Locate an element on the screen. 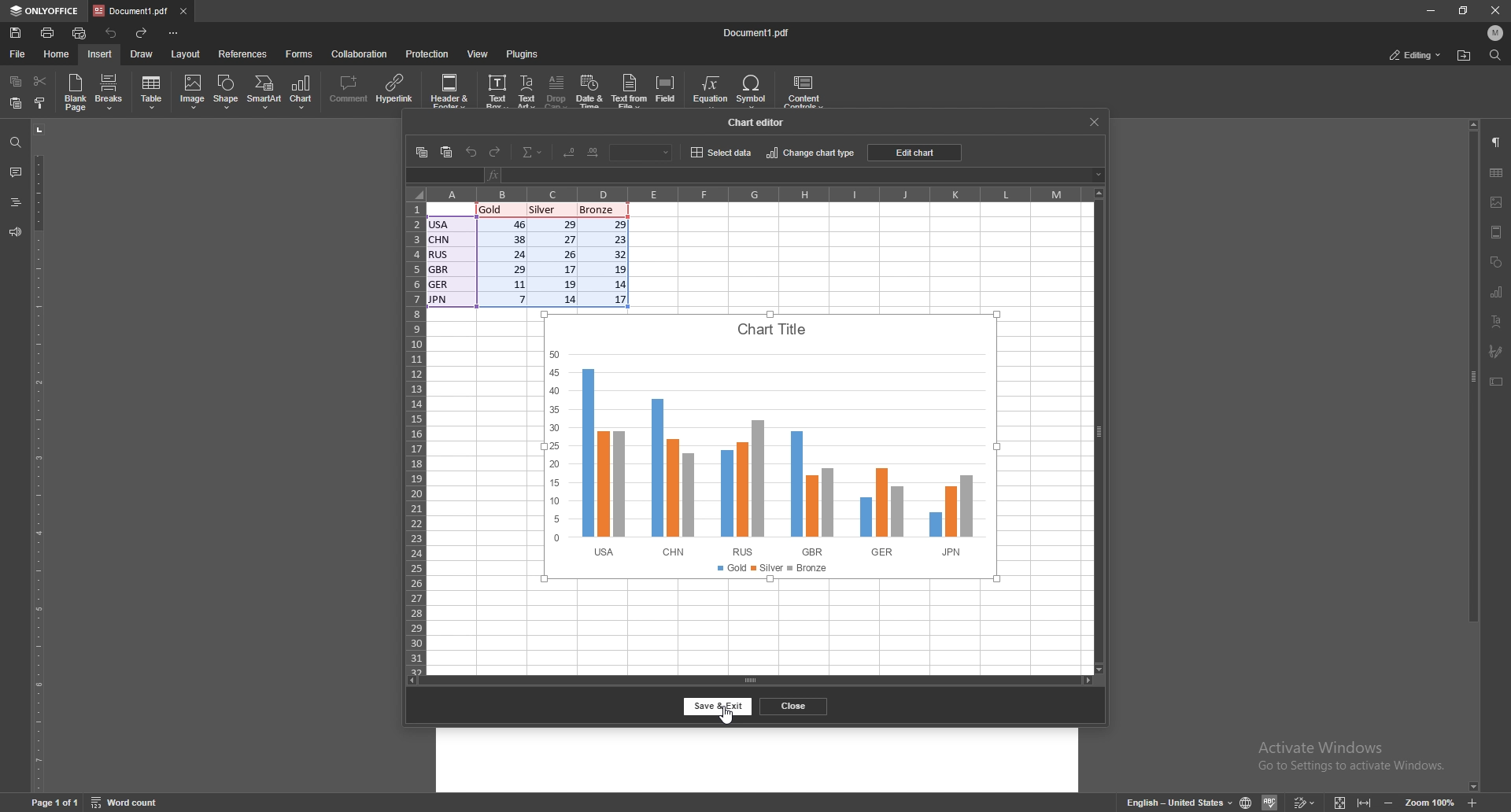 The width and height of the screenshot is (1511, 812). select data is located at coordinates (720, 151).